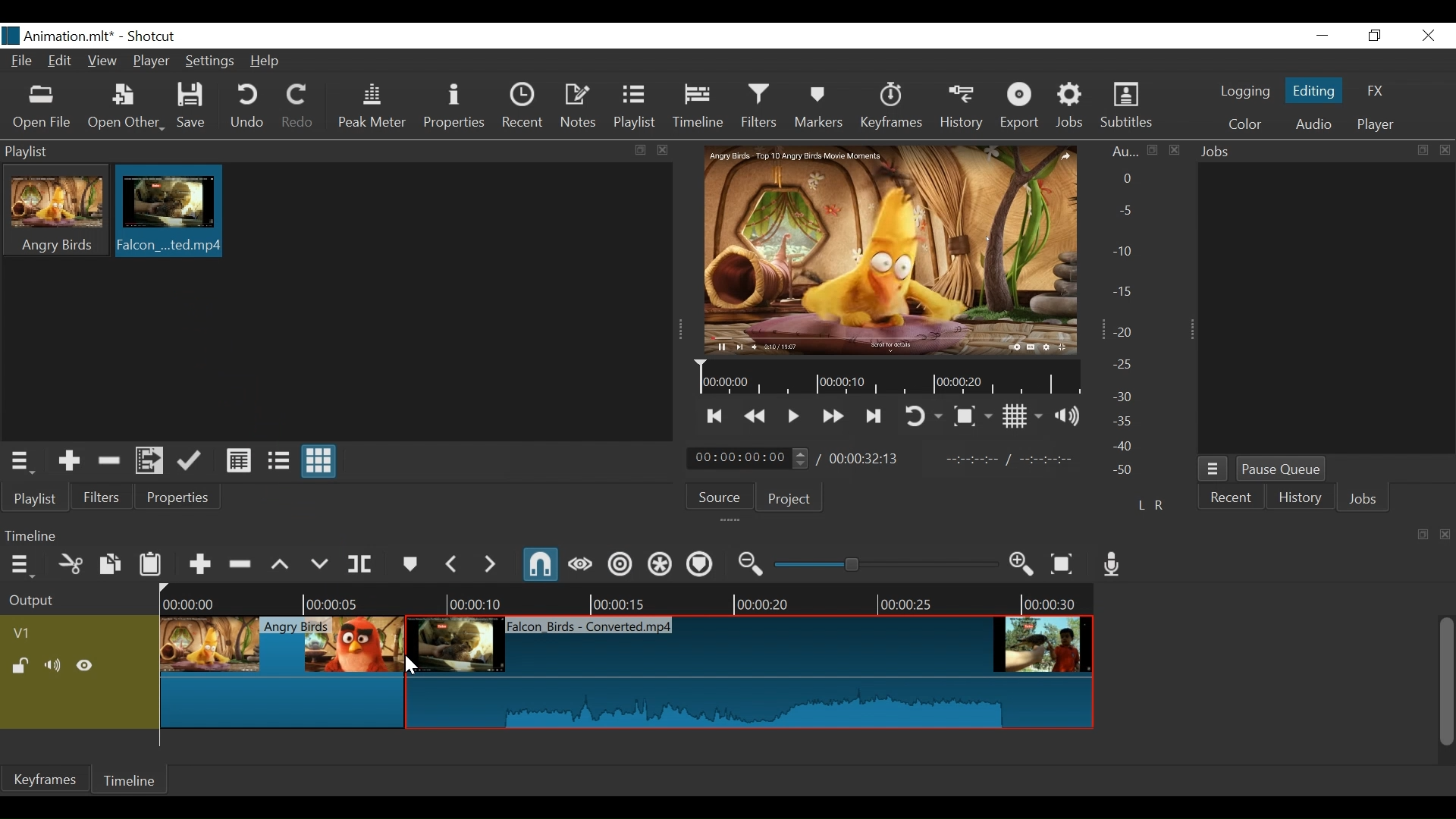 The width and height of the screenshot is (1456, 819). What do you see at coordinates (700, 564) in the screenshot?
I see `Ripple Markers` at bounding box center [700, 564].